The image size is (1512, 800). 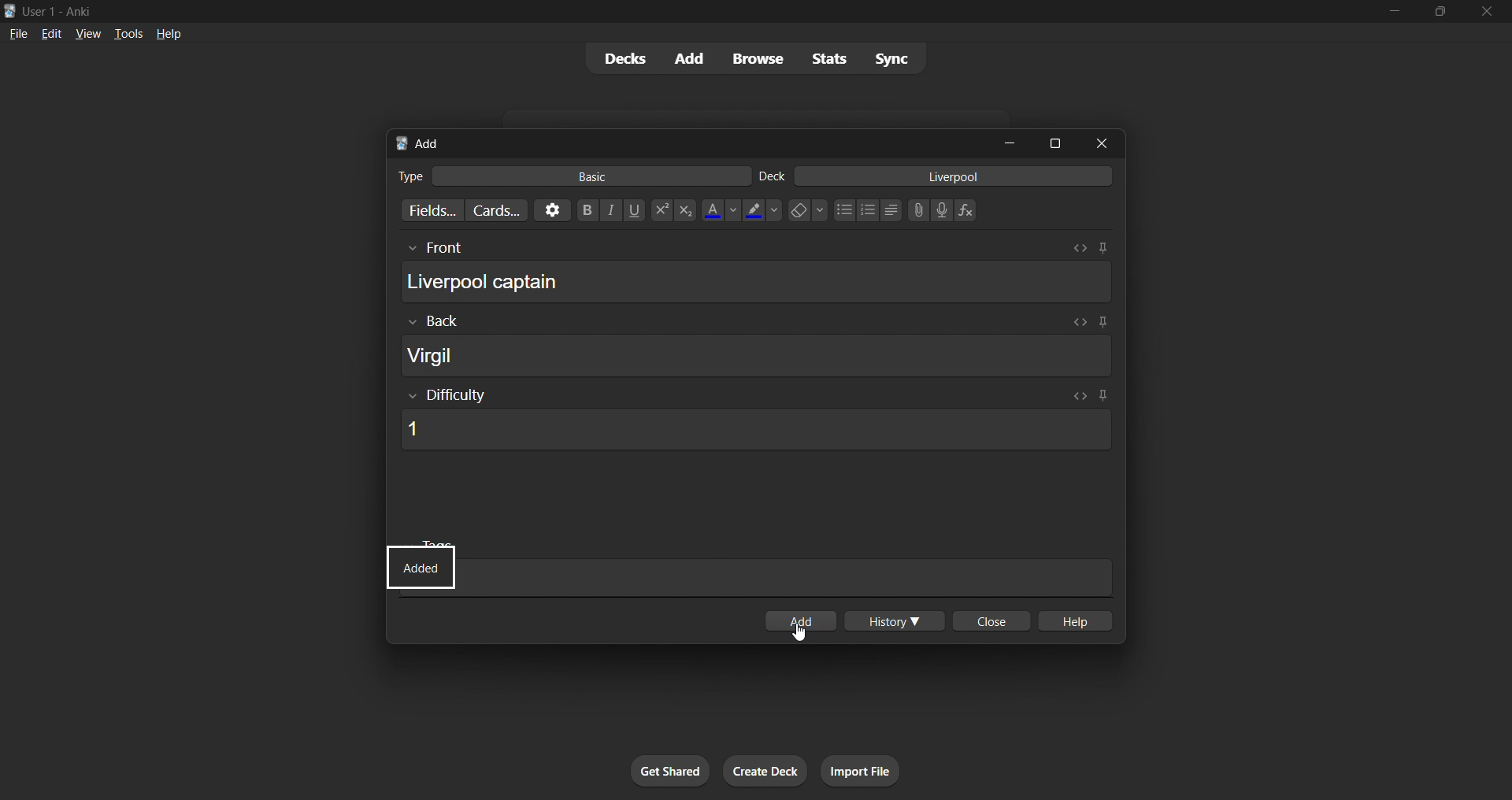 What do you see at coordinates (661, 210) in the screenshot?
I see `Superscript` at bounding box center [661, 210].